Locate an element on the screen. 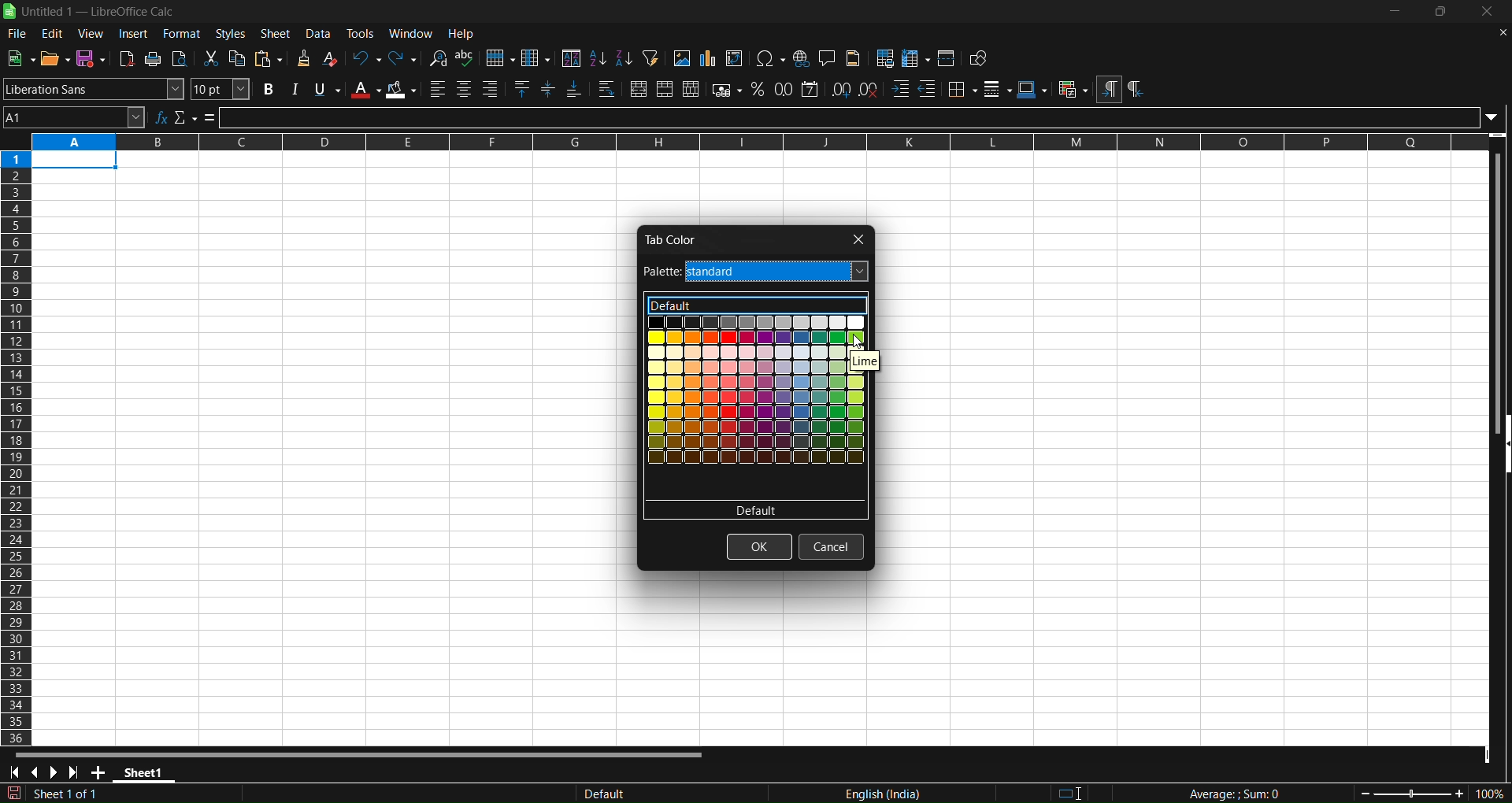 The height and width of the screenshot is (803, 1512). cut is located at coordinates (213, 58).